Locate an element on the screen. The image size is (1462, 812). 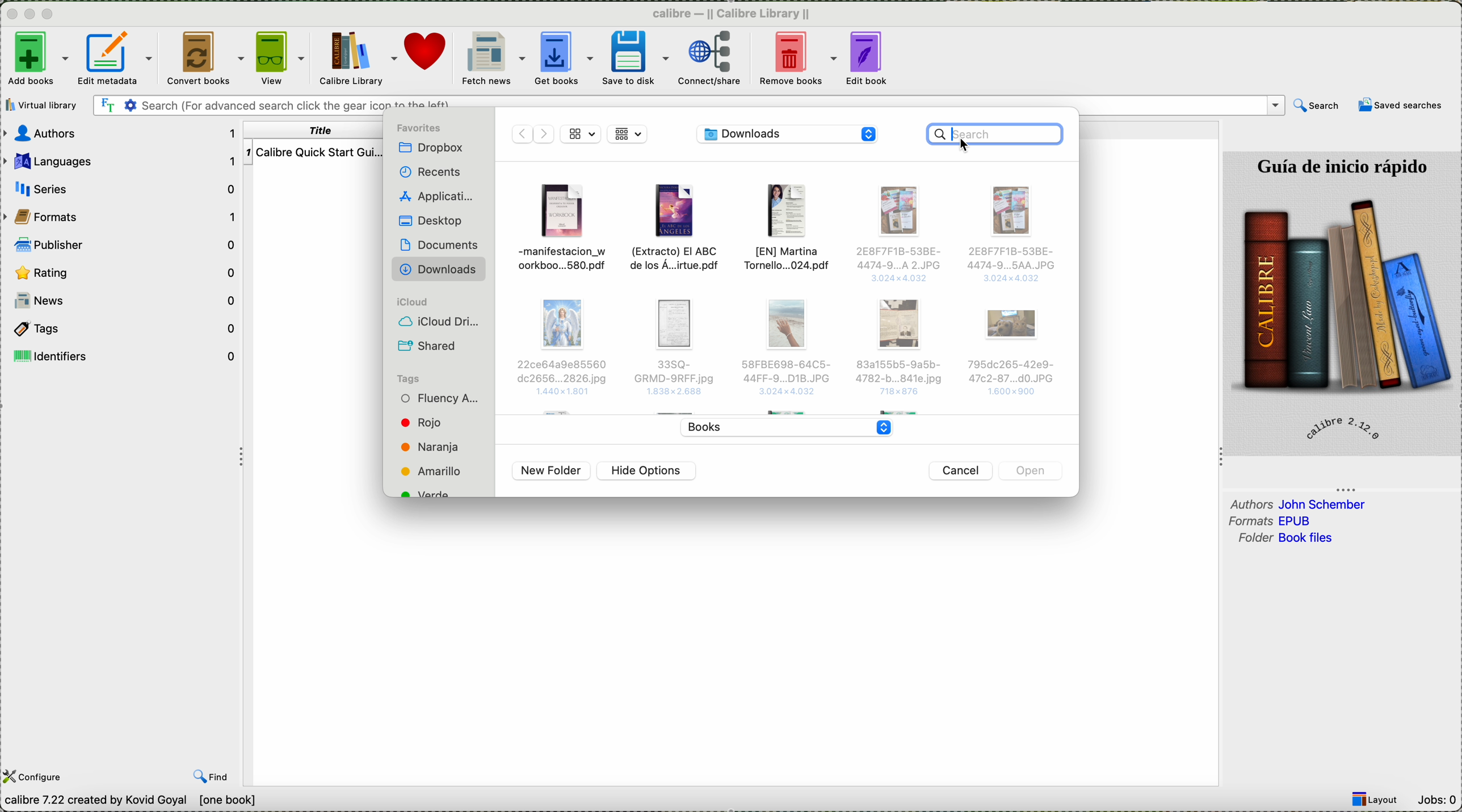
shared is located at coordinates (431, 346).